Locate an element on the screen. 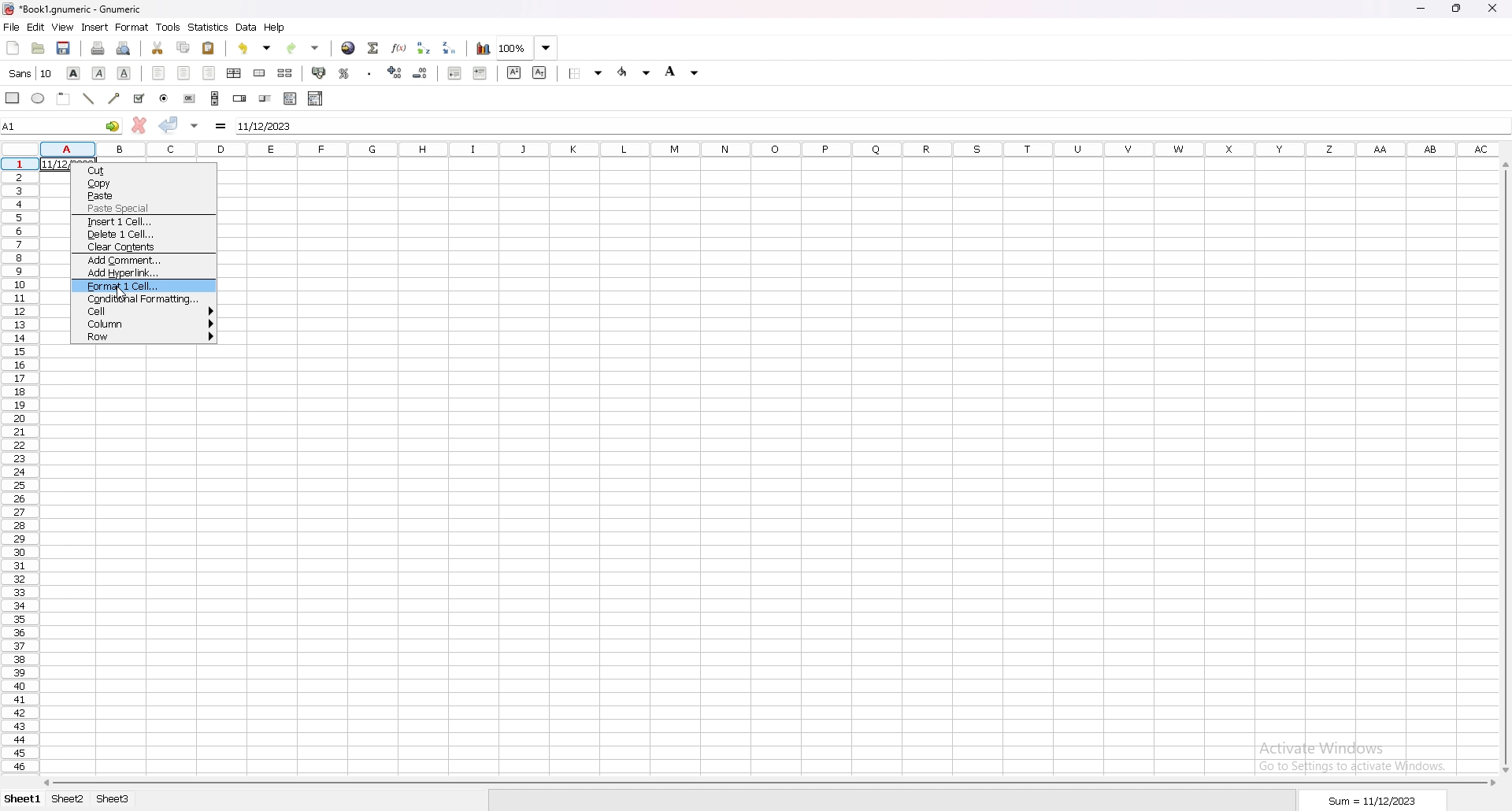 The width and height of the screenshot is (1512, 811). split merged cells is located at coordinates (287, 73).